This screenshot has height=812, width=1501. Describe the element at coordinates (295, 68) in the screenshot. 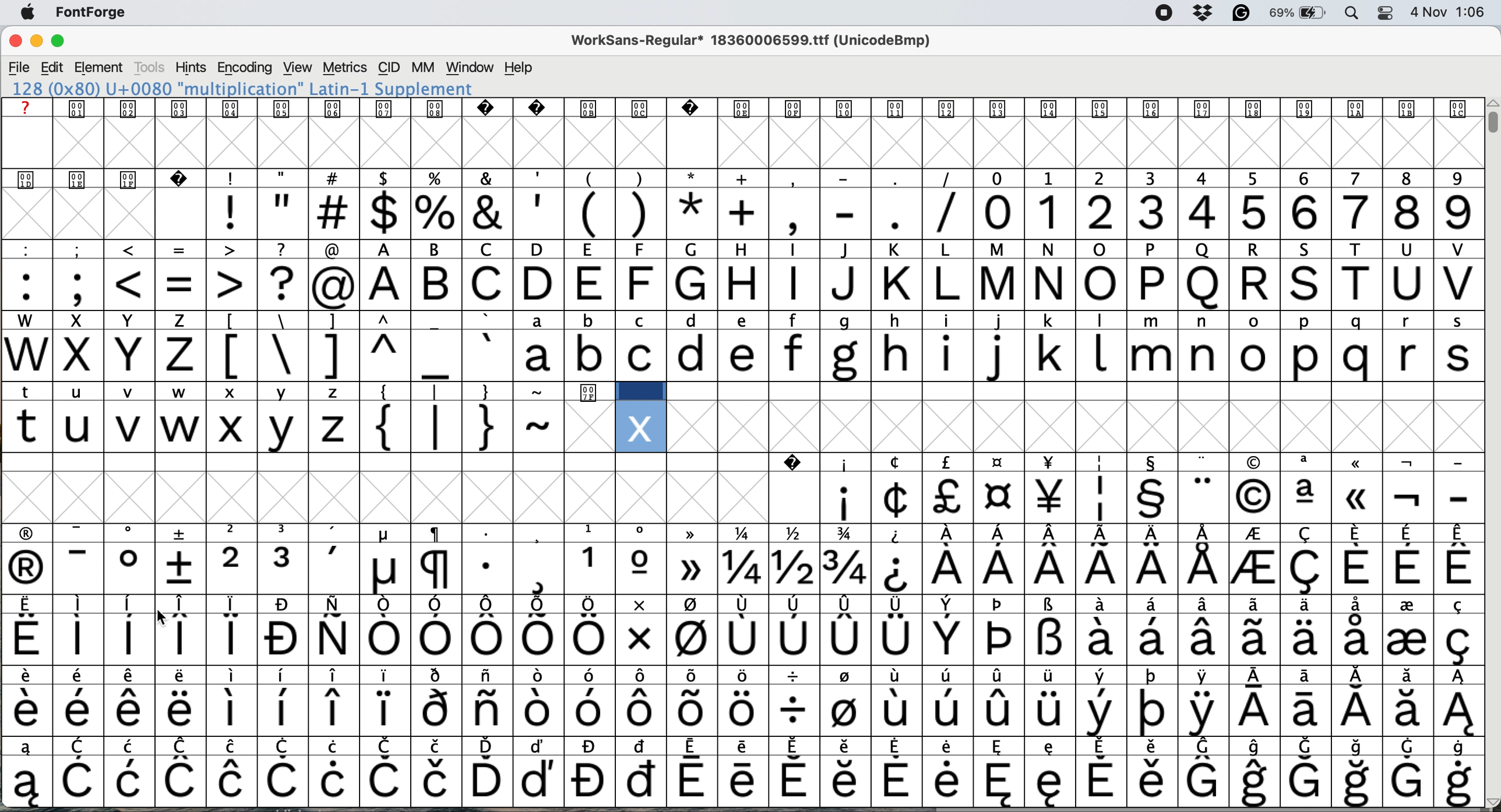

I see `view` at that location.